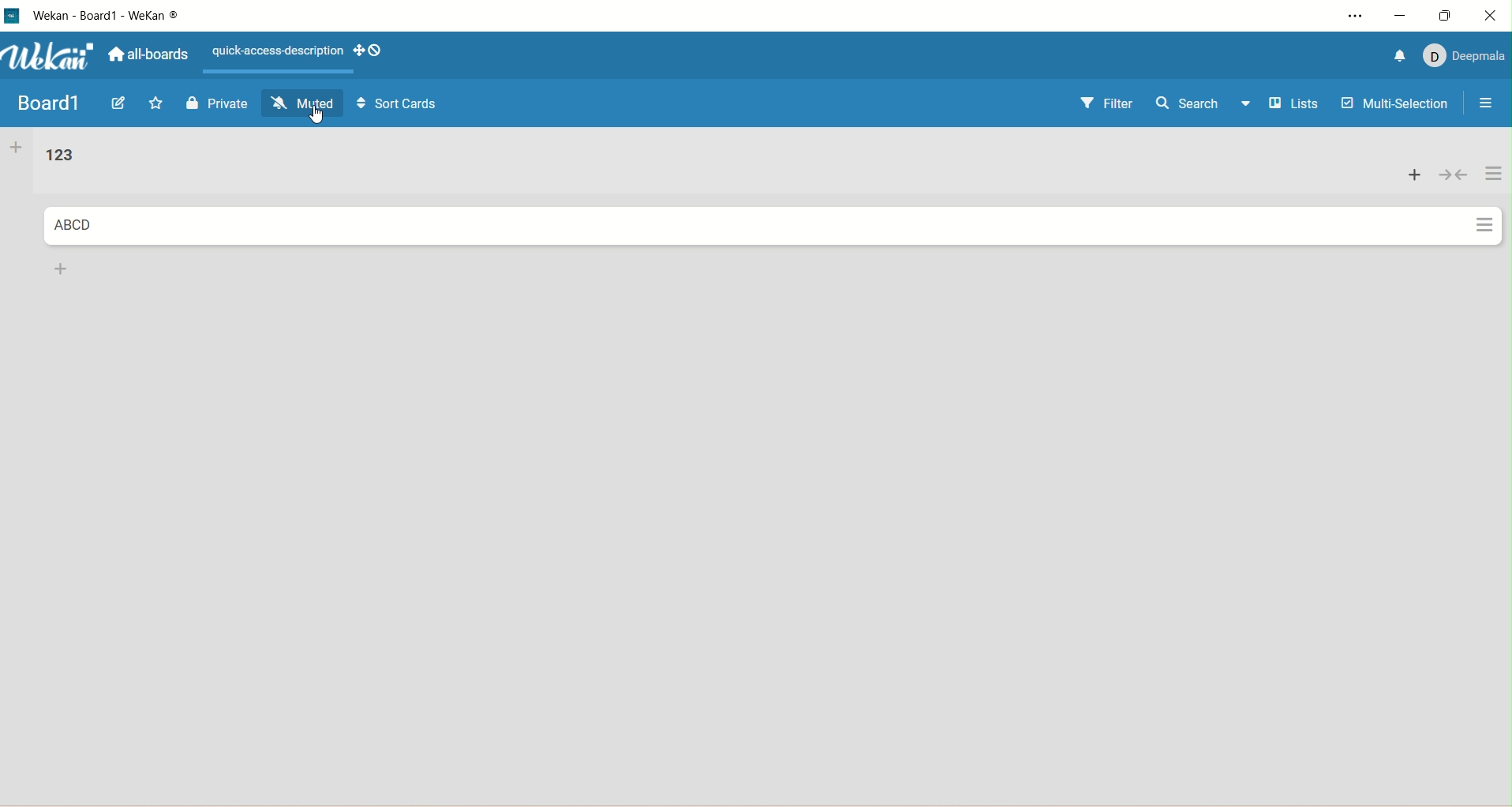  Describe the element at coordinates (73, 226) in the screenshot. I see `card title` at that location.